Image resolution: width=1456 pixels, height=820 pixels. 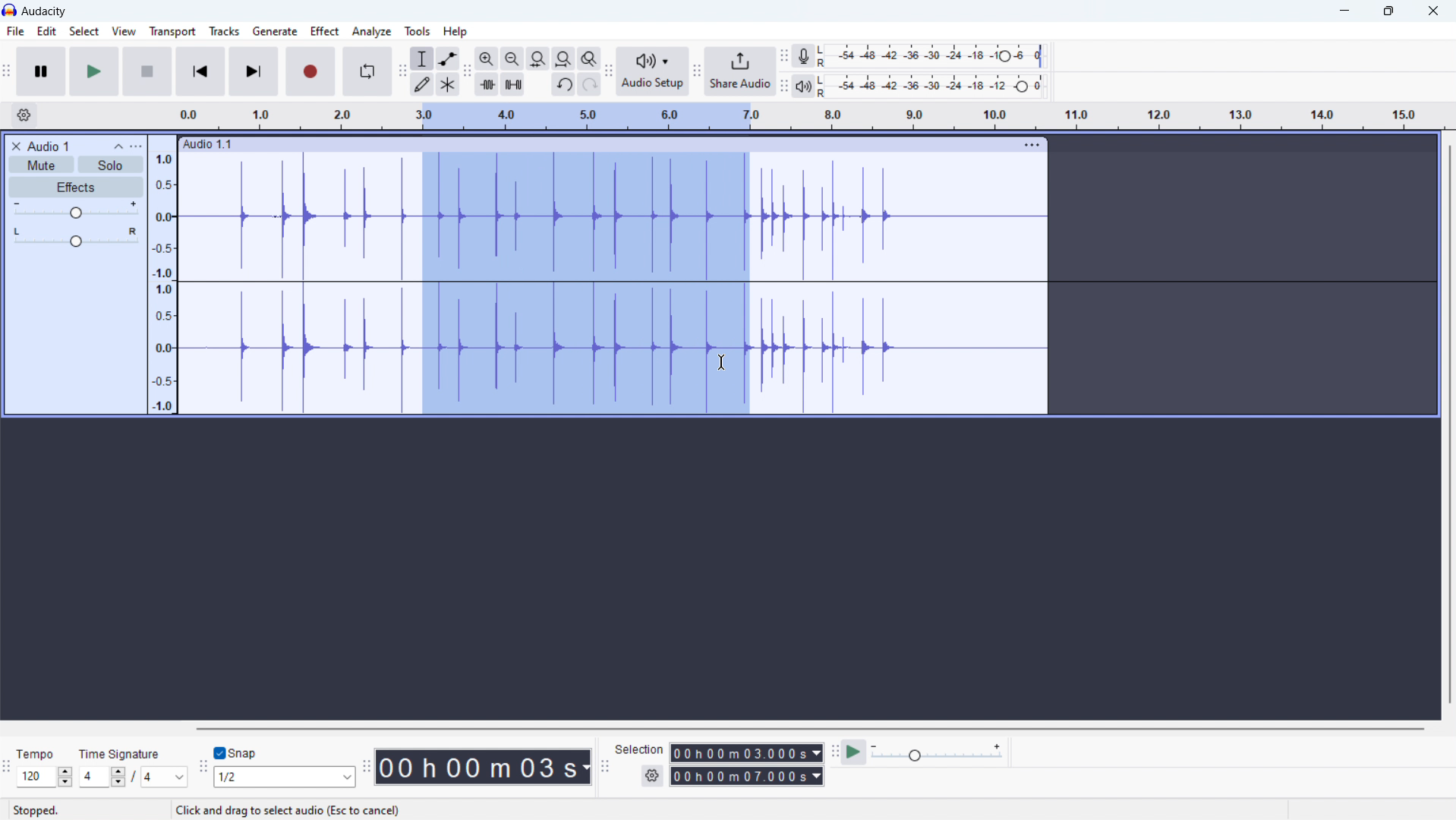 What do you see at coordinates (721, 363) in the screenshot?
I see `cursor` at bounding box center [721, 363].